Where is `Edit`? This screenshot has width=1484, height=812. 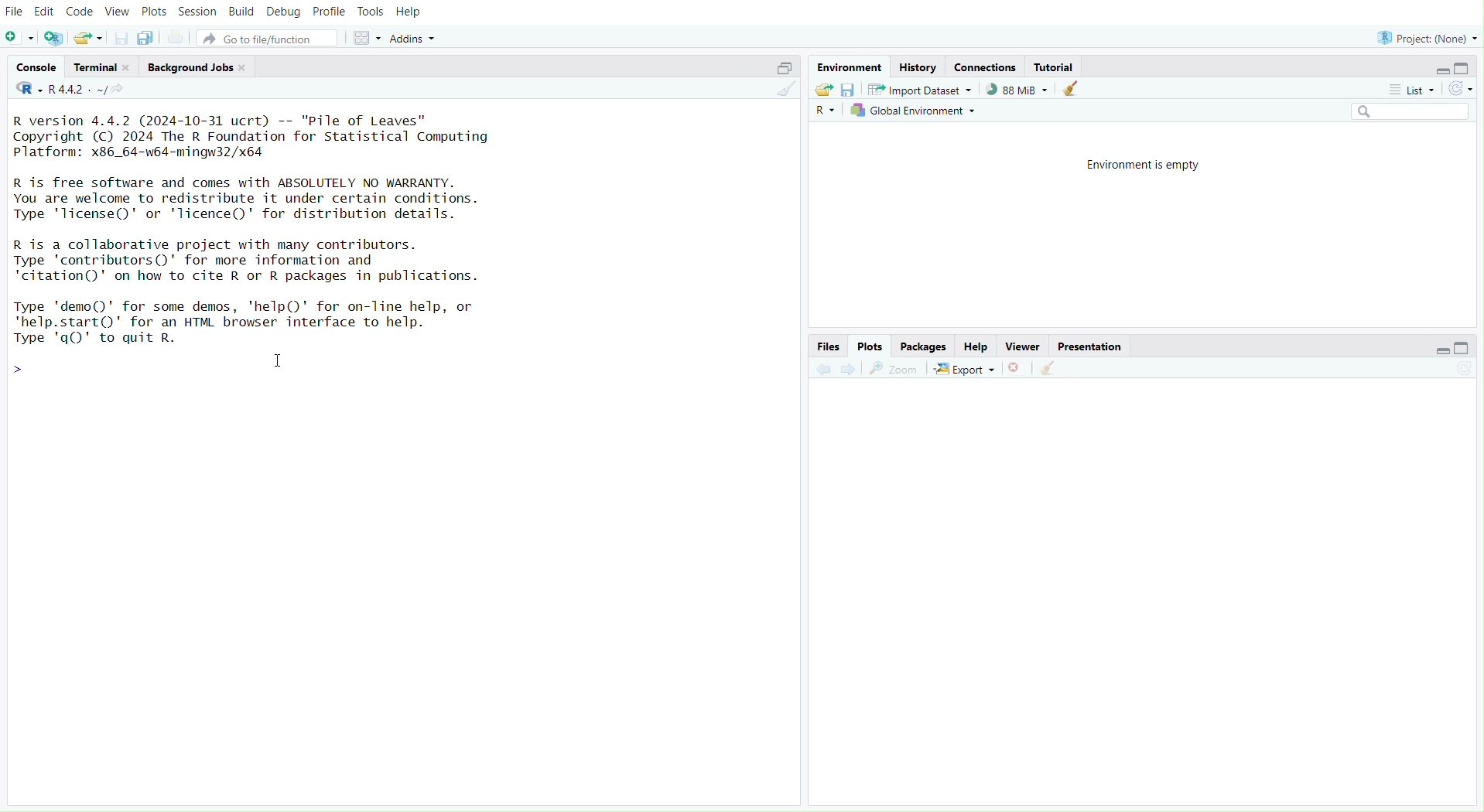 Edit is located at coordinates (44, 10).